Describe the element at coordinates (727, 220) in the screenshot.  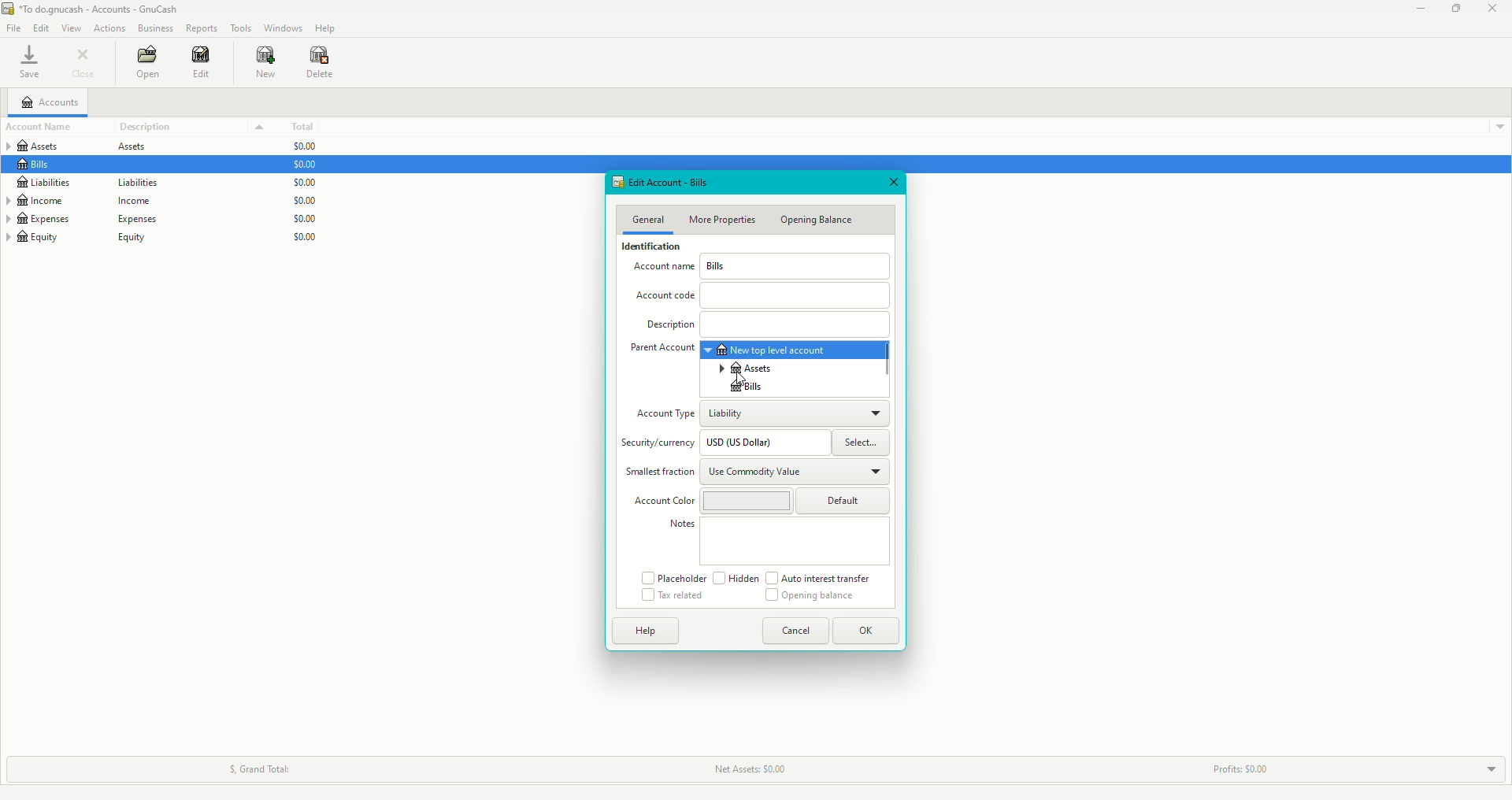
I see `More Properties` at that location.